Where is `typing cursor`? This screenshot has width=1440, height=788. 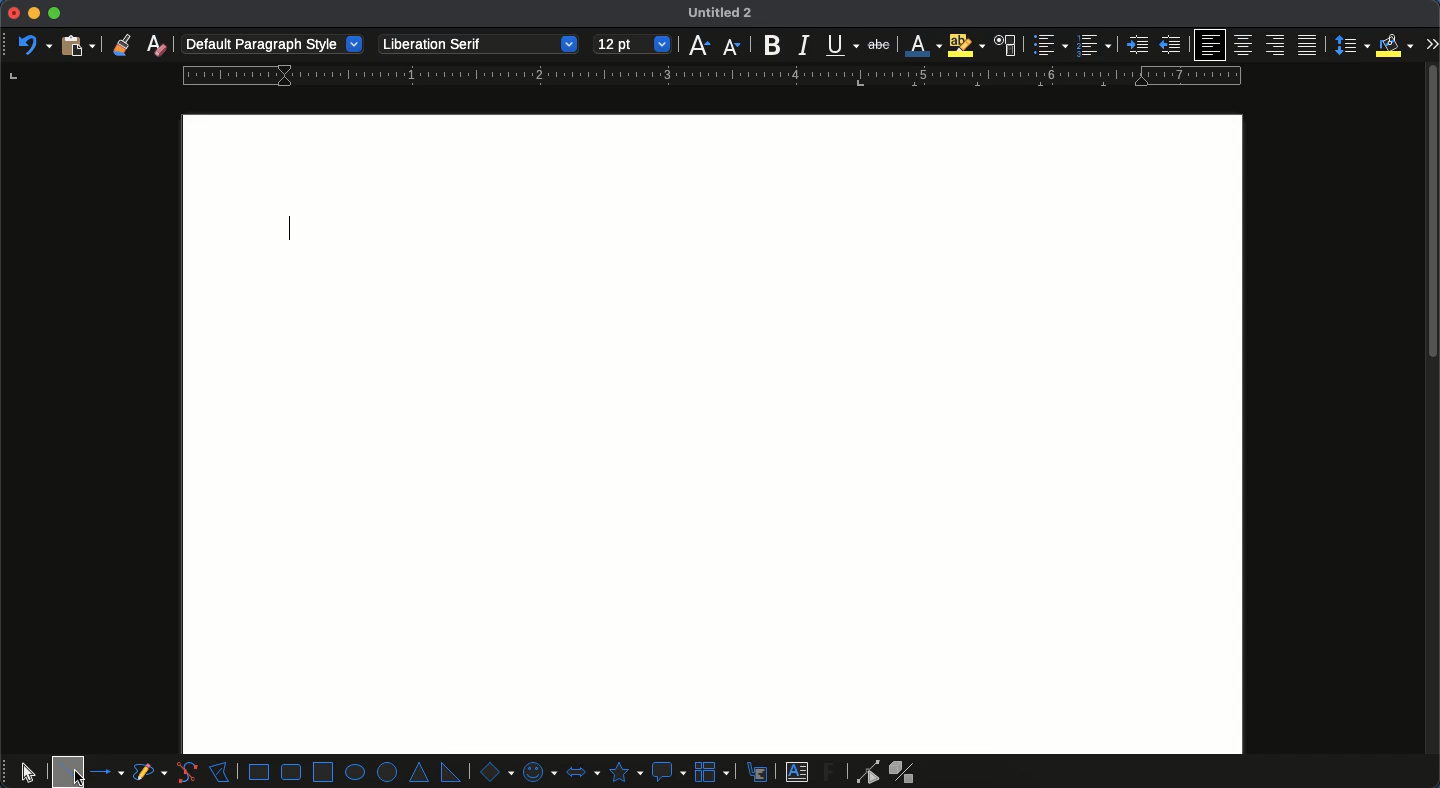 typing cursor is located at coordinates (290, 230).